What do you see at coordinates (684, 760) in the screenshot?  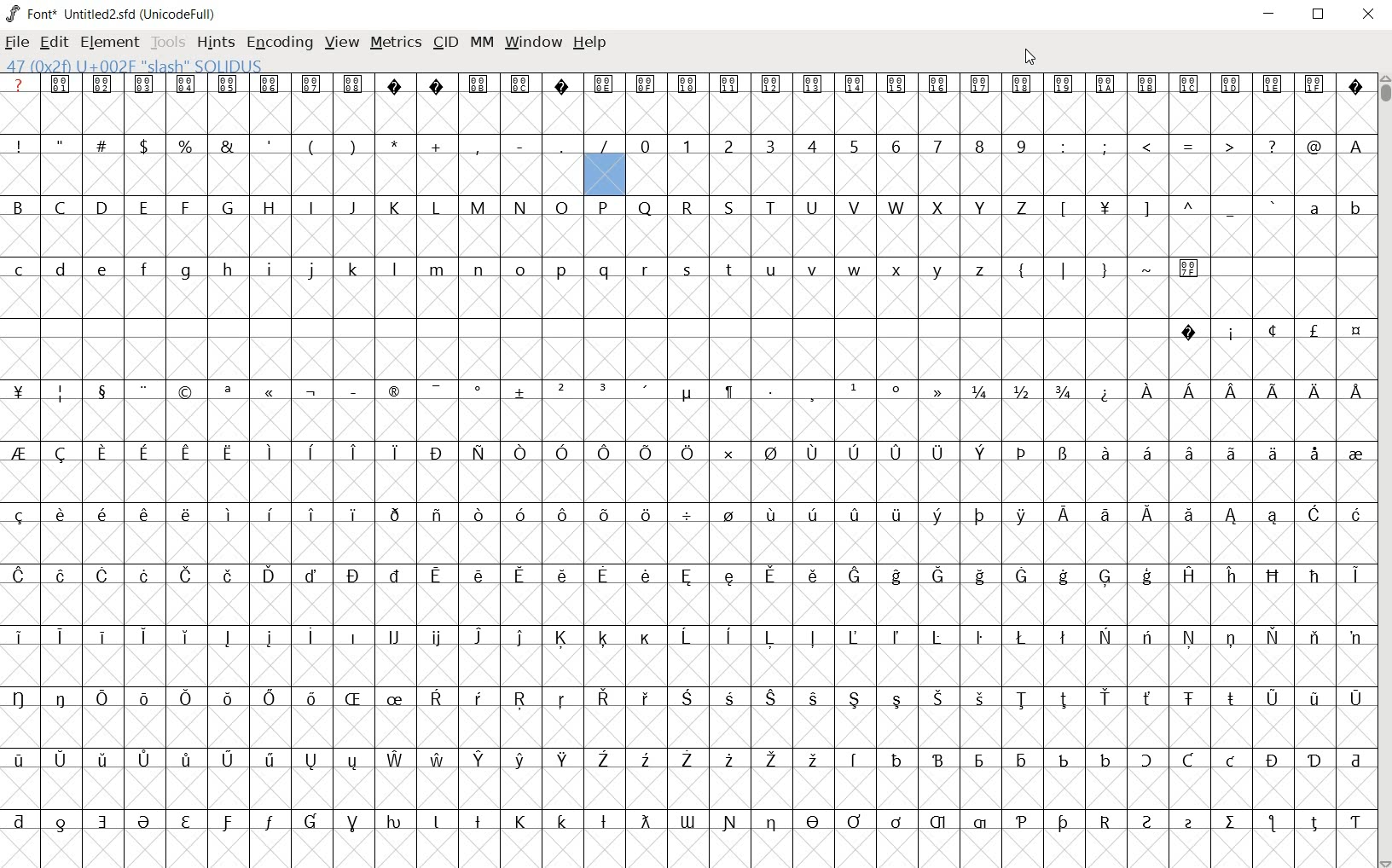 I see `special letters` at bounding box center [684, 760].